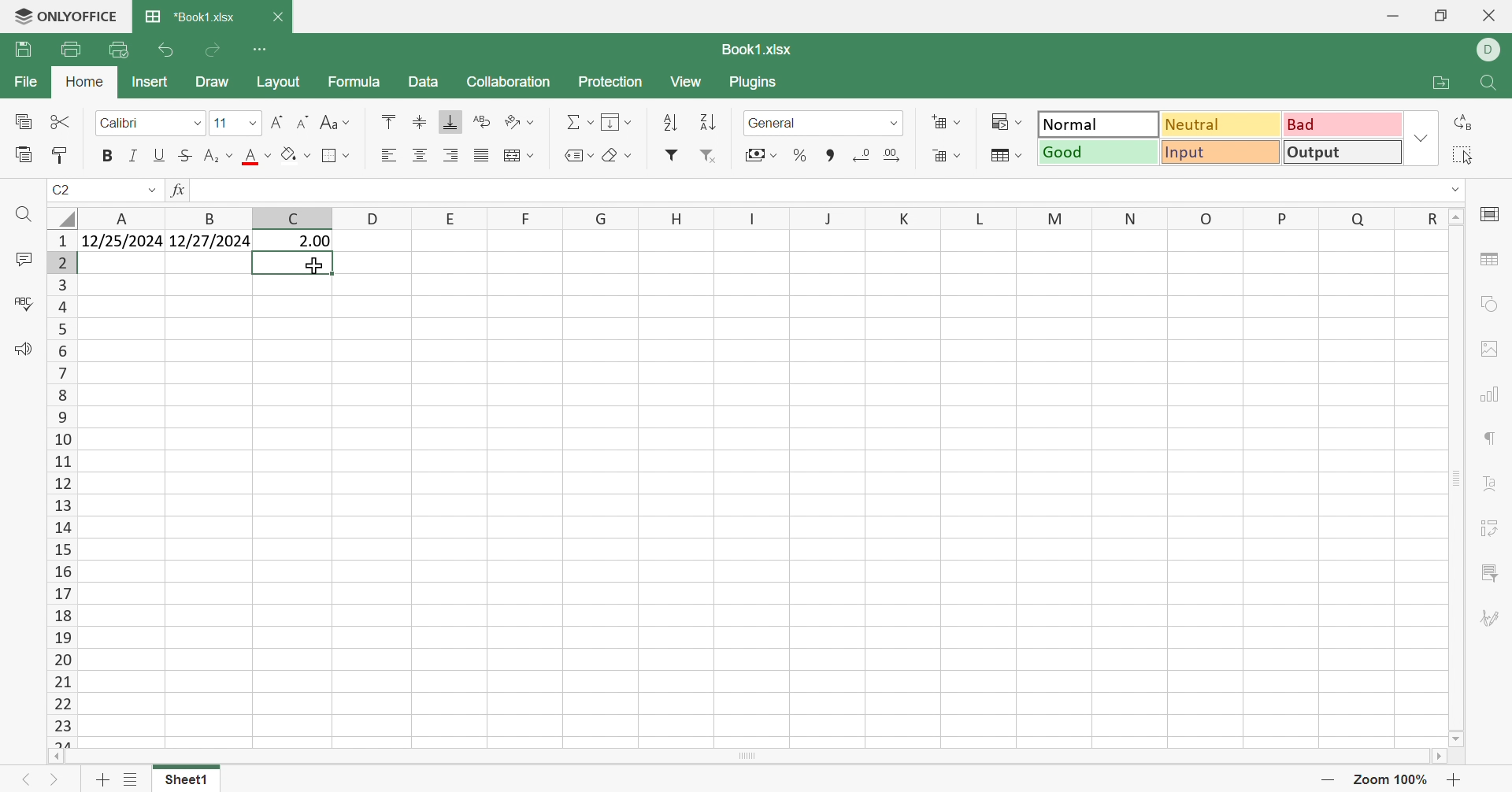  Describe the element at coordinates (20, 779) in the screenshot. I see `Previous` at that location.